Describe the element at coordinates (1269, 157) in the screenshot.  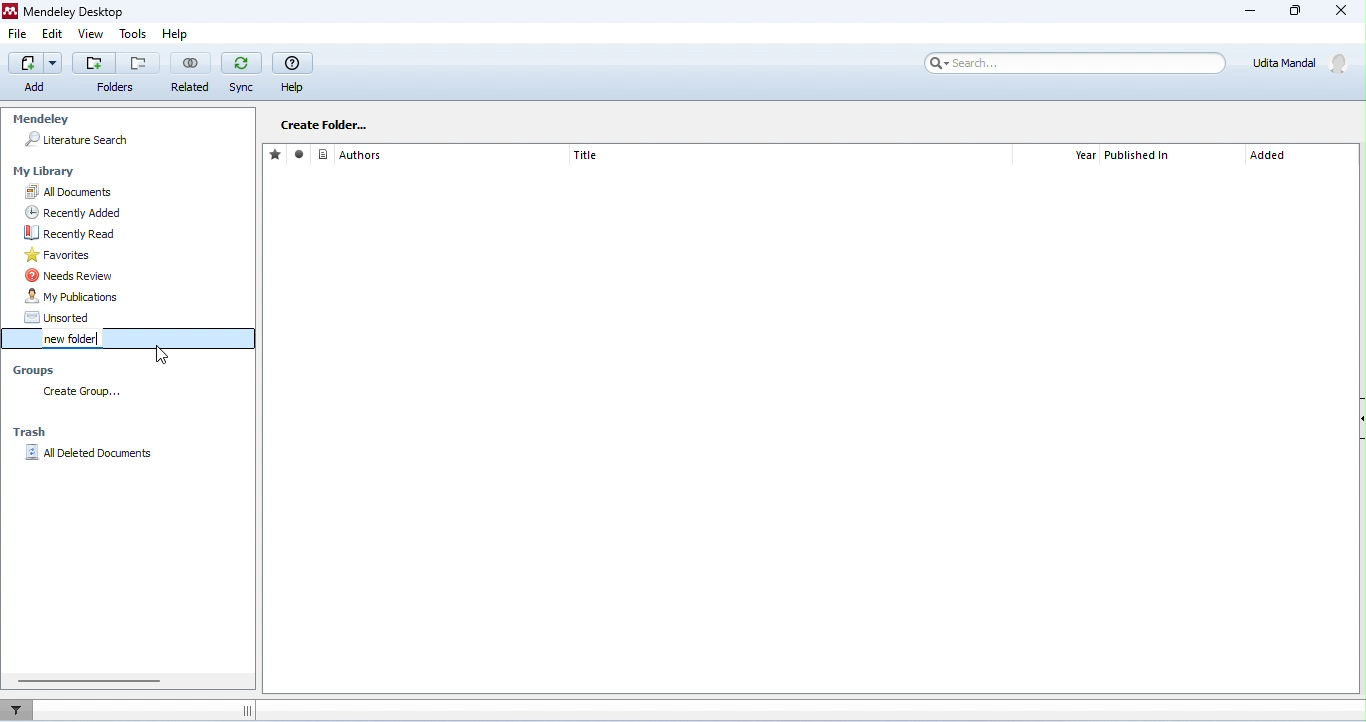
I see `added` at that location.